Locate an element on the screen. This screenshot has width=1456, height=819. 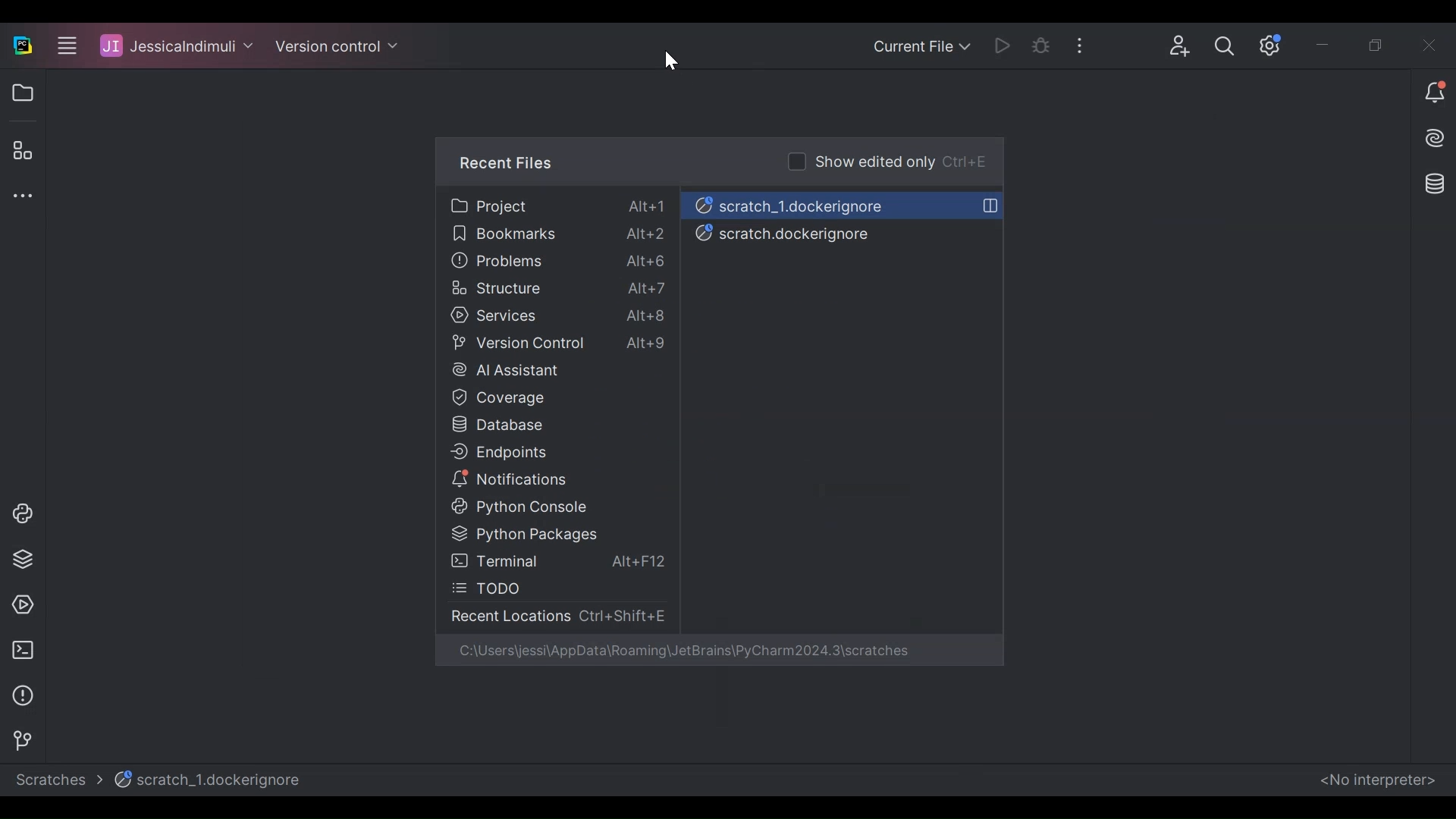
Main Menu is located at coordinates (61, 47).